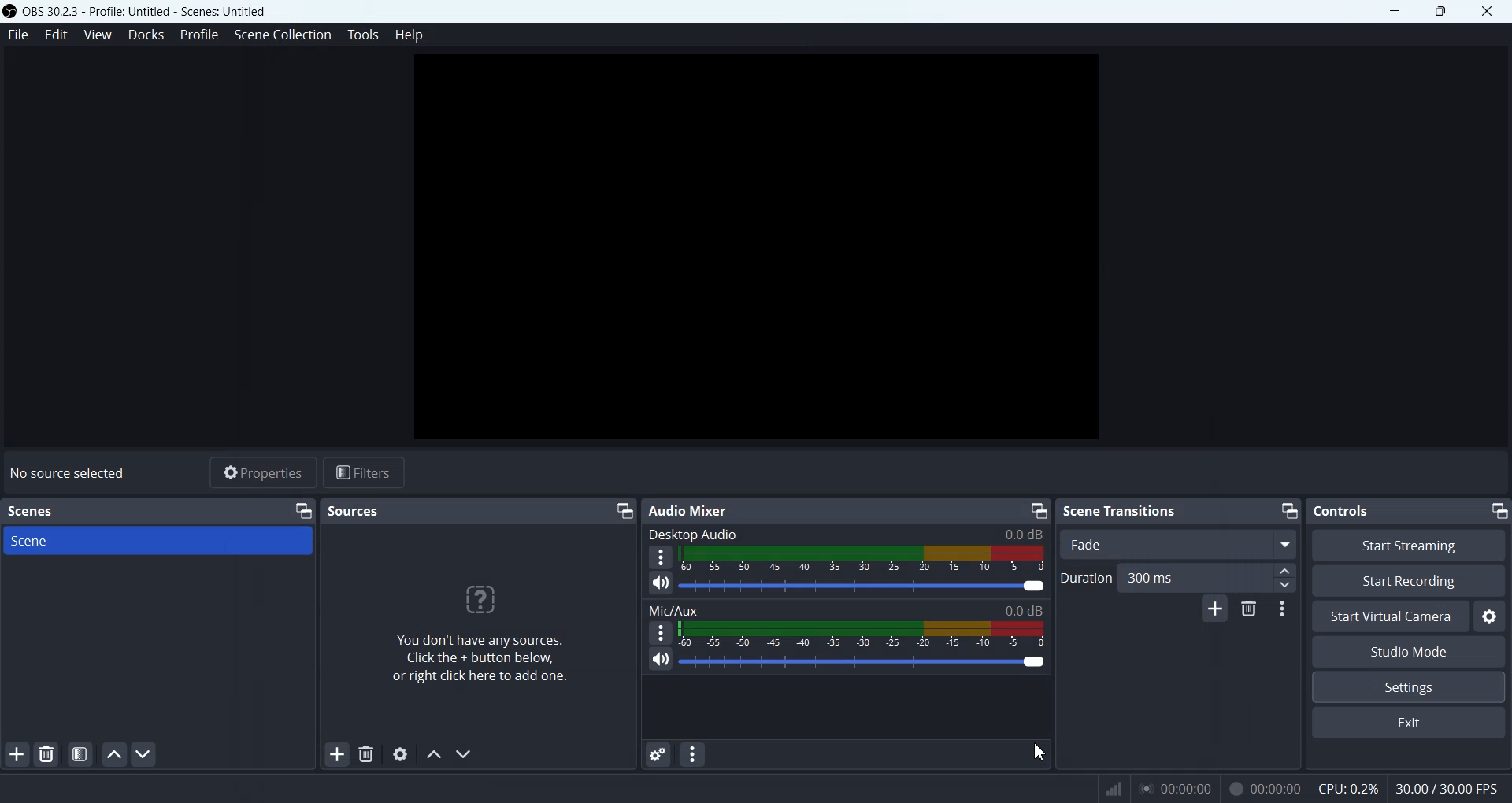  Describe the element at coordinates (1177, 787) in the screenshot. I see `00:00:00` at that location.